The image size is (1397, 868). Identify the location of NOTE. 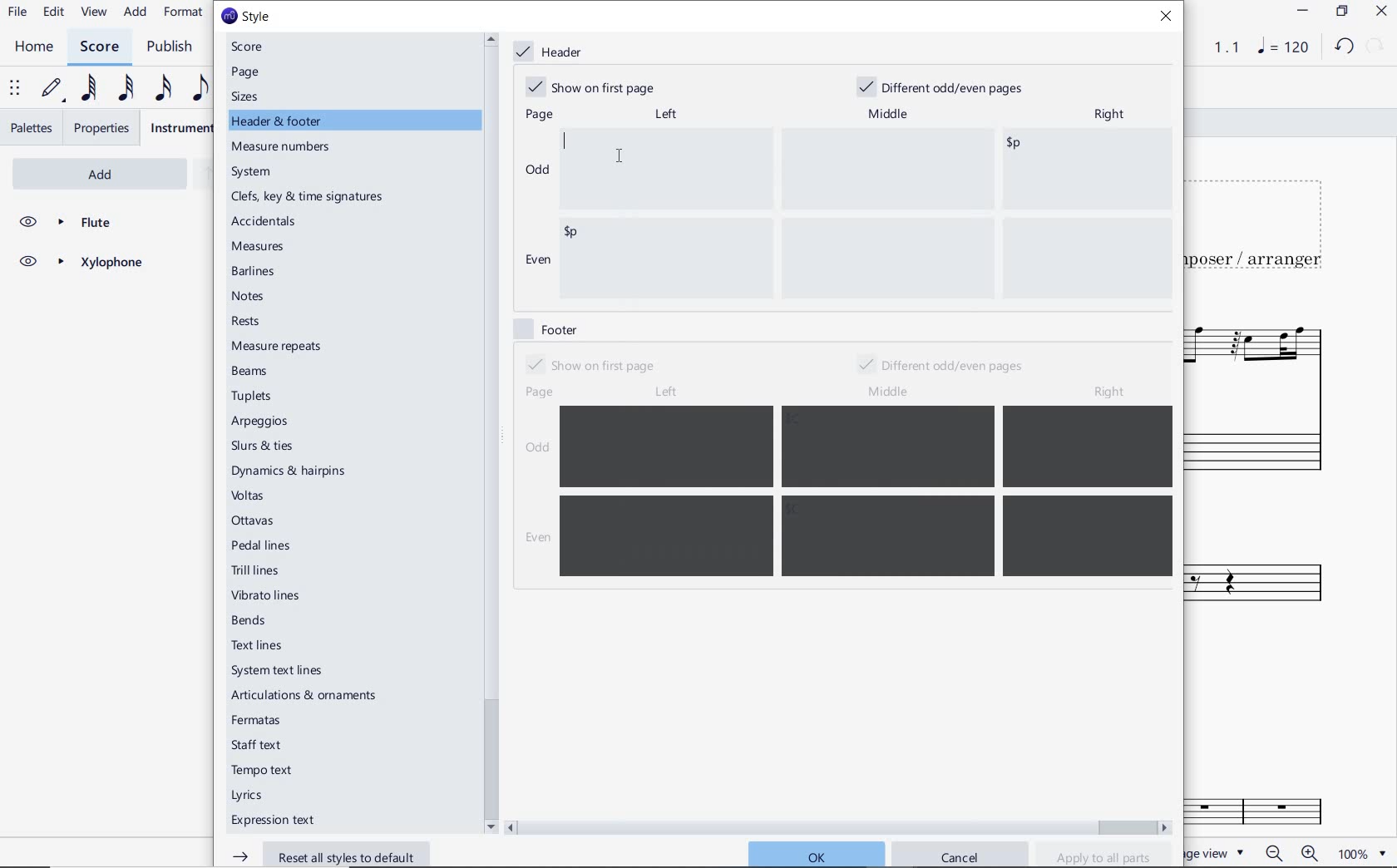
(1281, 48).